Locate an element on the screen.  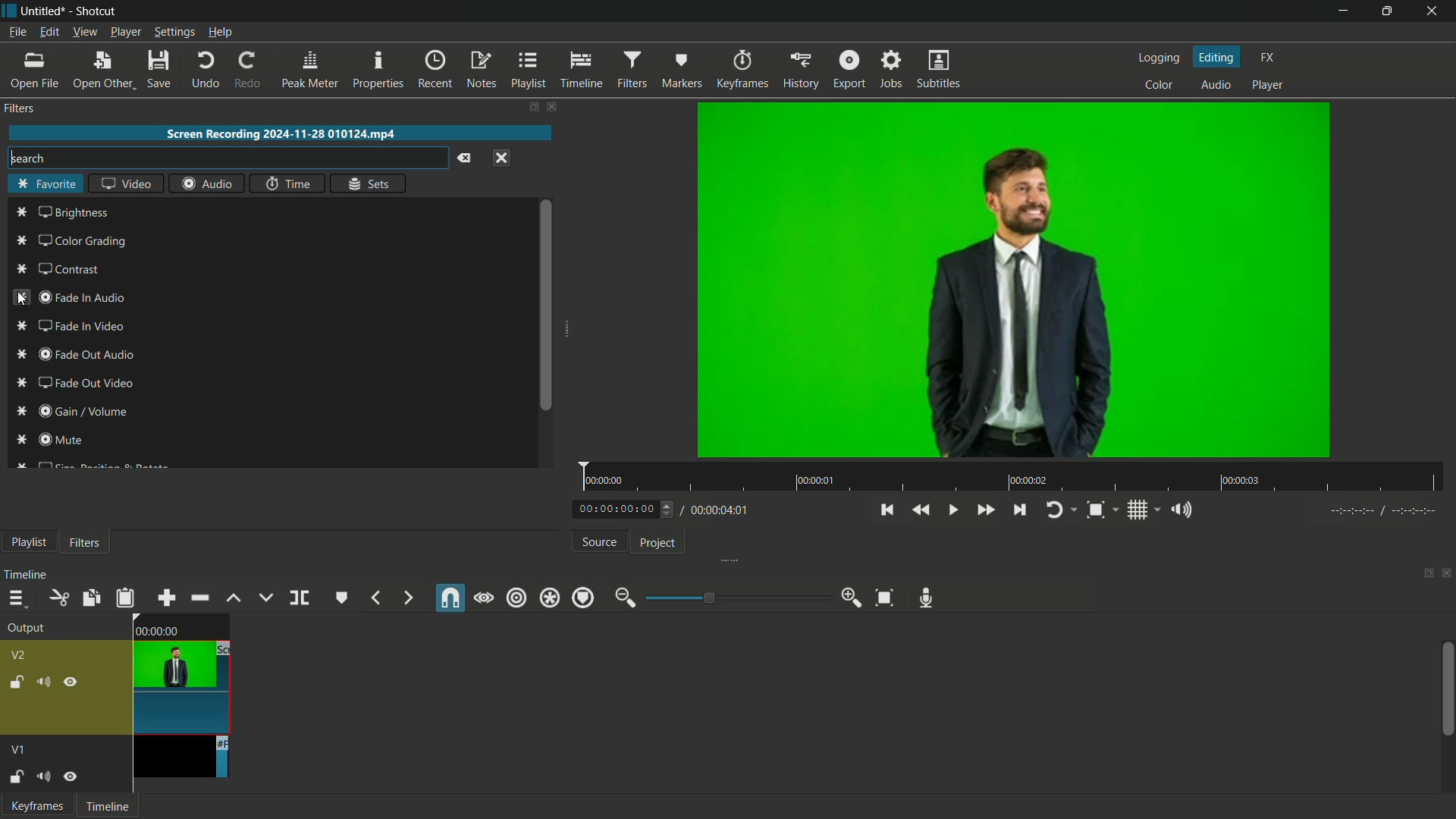
search bar is located at coordinates (224, 158).